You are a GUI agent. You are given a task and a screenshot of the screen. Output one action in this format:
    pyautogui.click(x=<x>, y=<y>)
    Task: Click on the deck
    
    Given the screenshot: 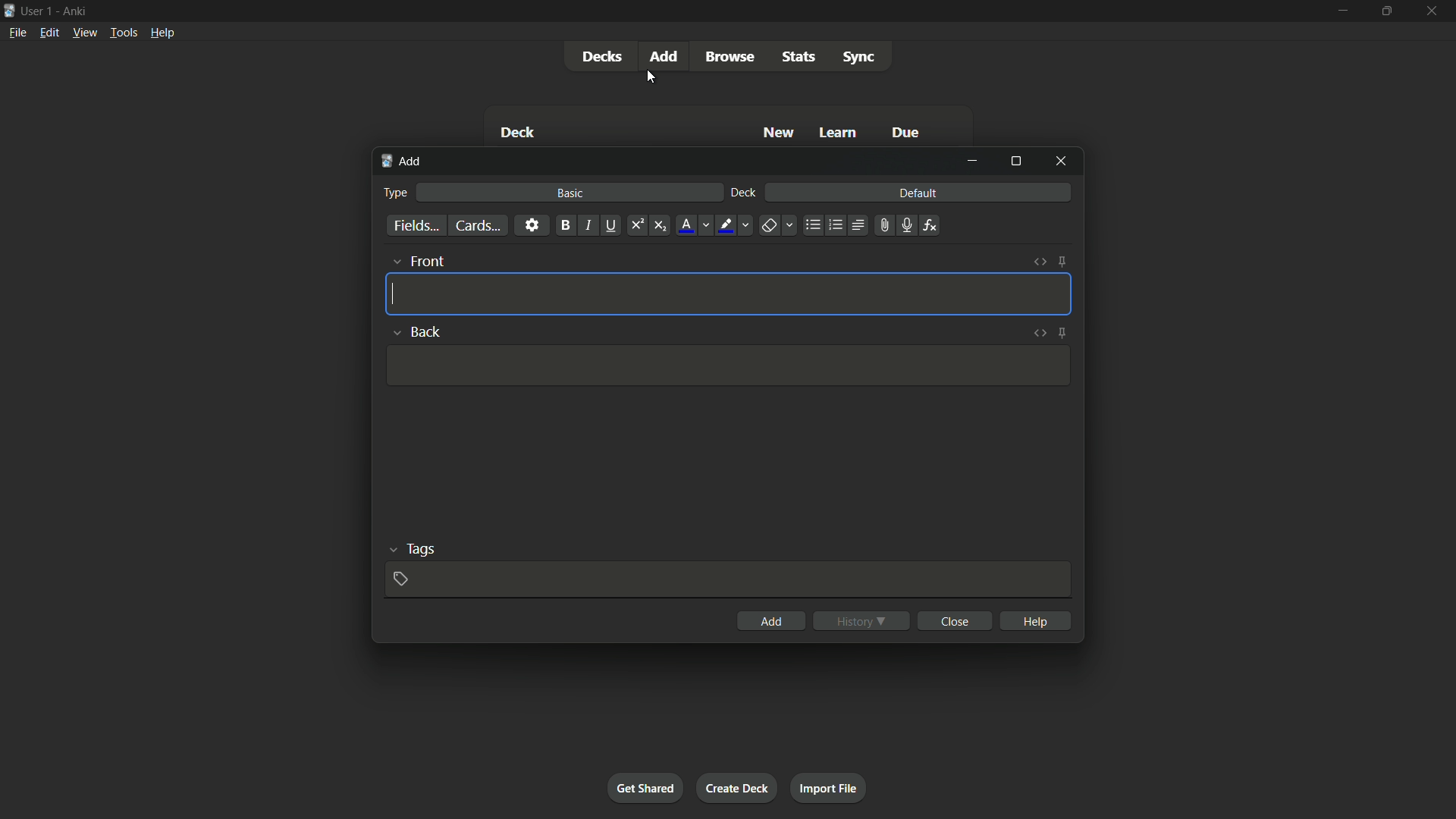 What is the action you would take?
    pyautogui.click(x=517, y=134)
    